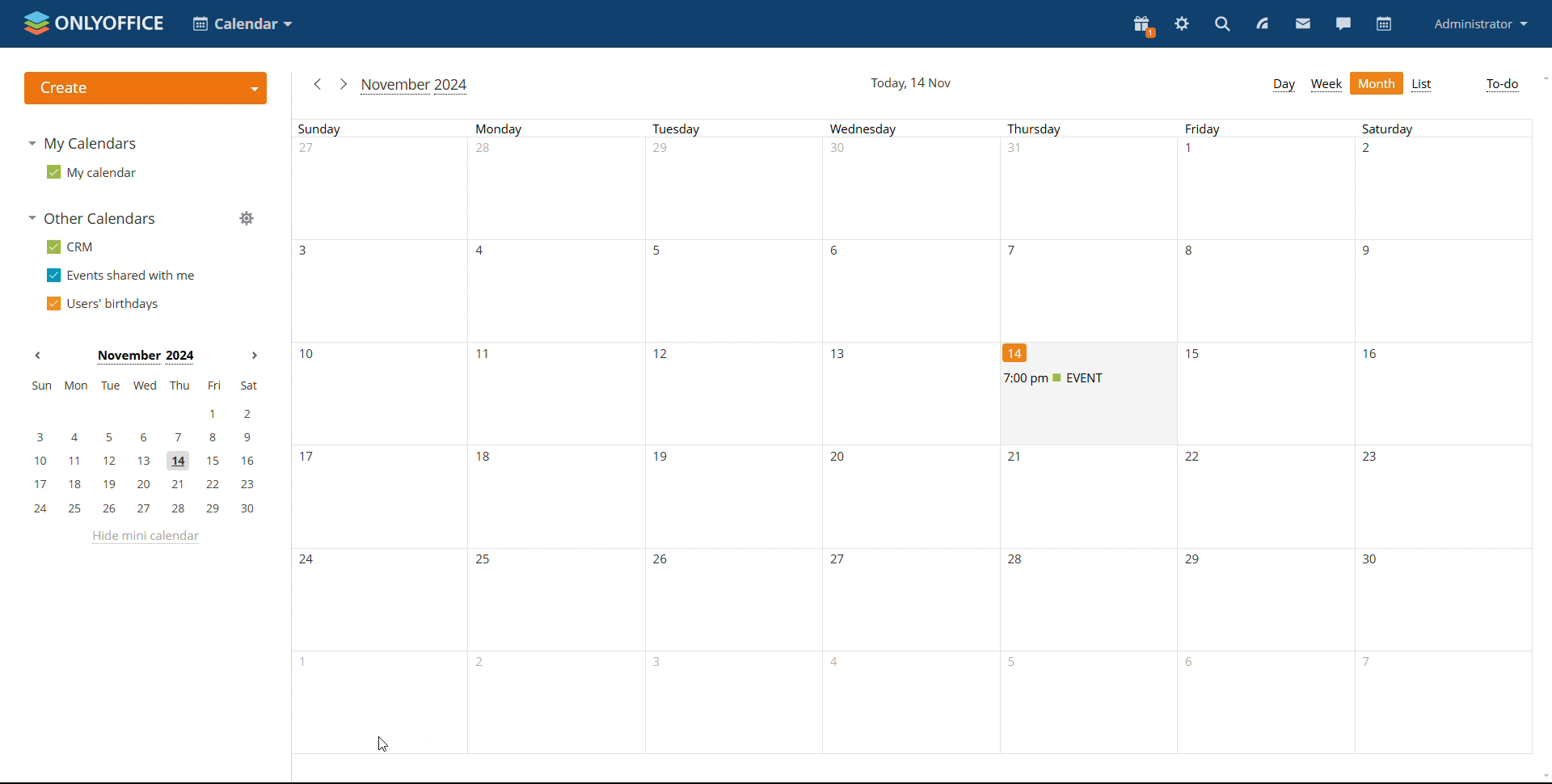  I want to click on settings, so click(1181, 24).